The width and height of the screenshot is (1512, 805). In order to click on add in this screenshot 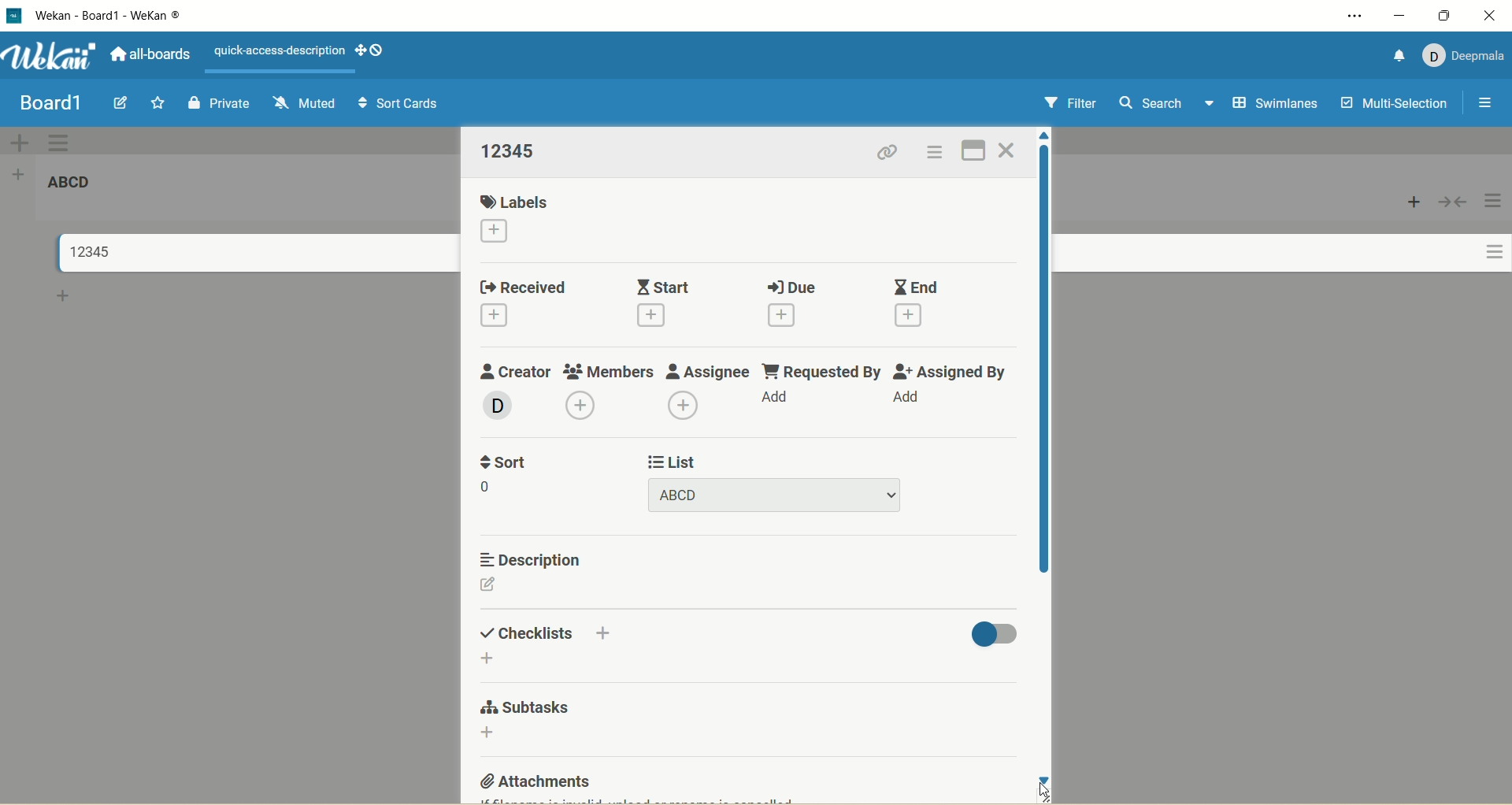, I will do `click(495, 735)`.